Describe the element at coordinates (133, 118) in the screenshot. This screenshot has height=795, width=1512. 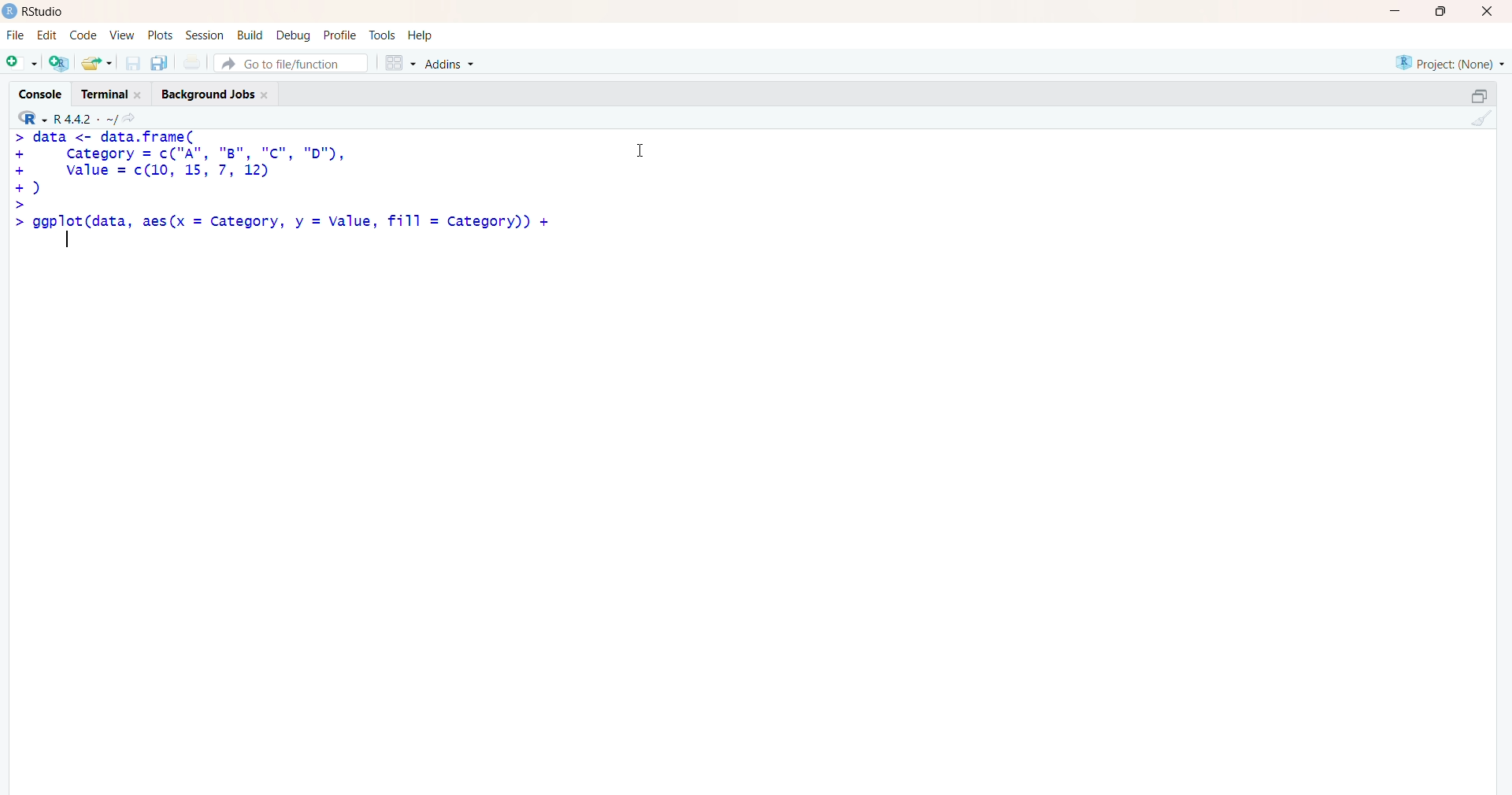
I see `go to directiory` at that location.